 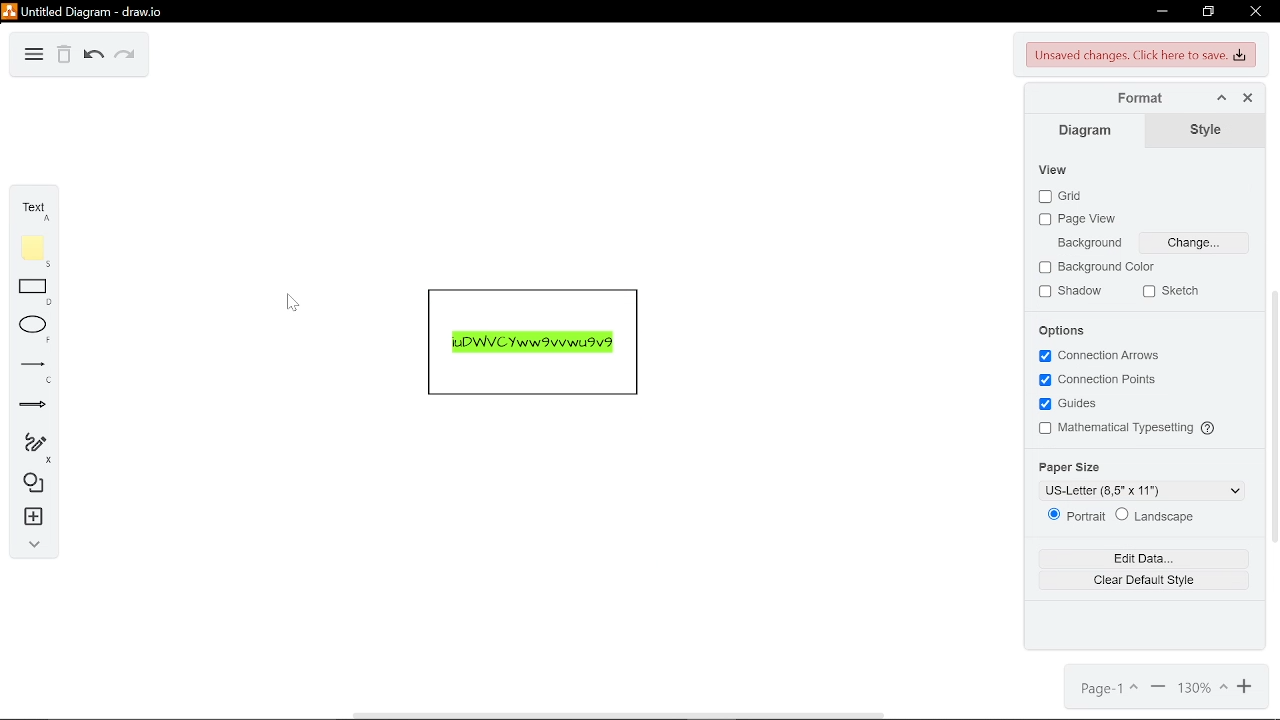 What do you see at coordinates (1065, 331) in the screenshot?
I see `options` at bounding box center [1065, 331].